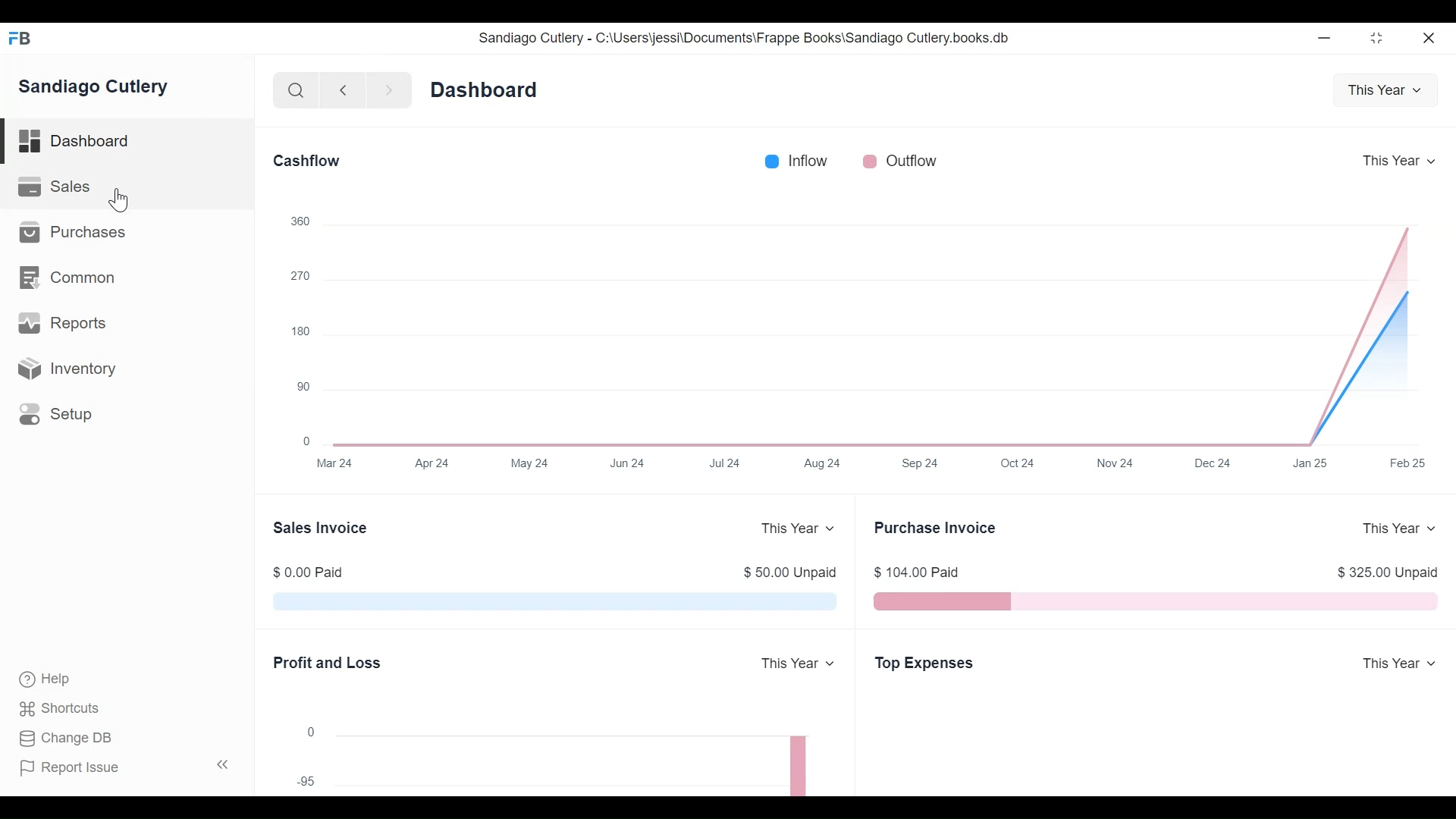 The width and height of the screenshot is (1456, 819). Describe the element at coordinates (306, 161) in the screenshot. I see `Cashflow` at that location.